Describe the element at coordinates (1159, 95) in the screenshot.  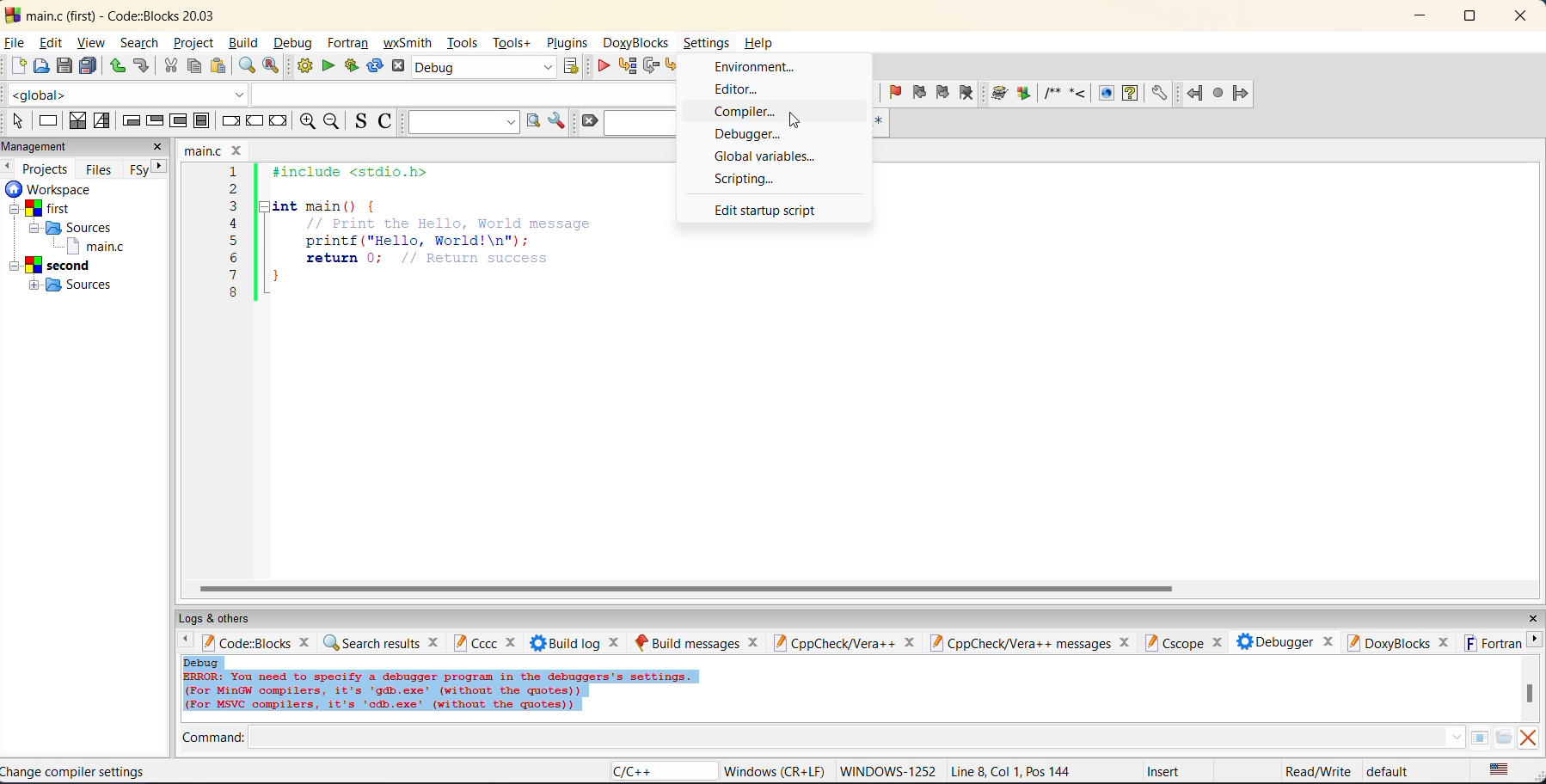
I see `open doxyblocks preferences` at that location.